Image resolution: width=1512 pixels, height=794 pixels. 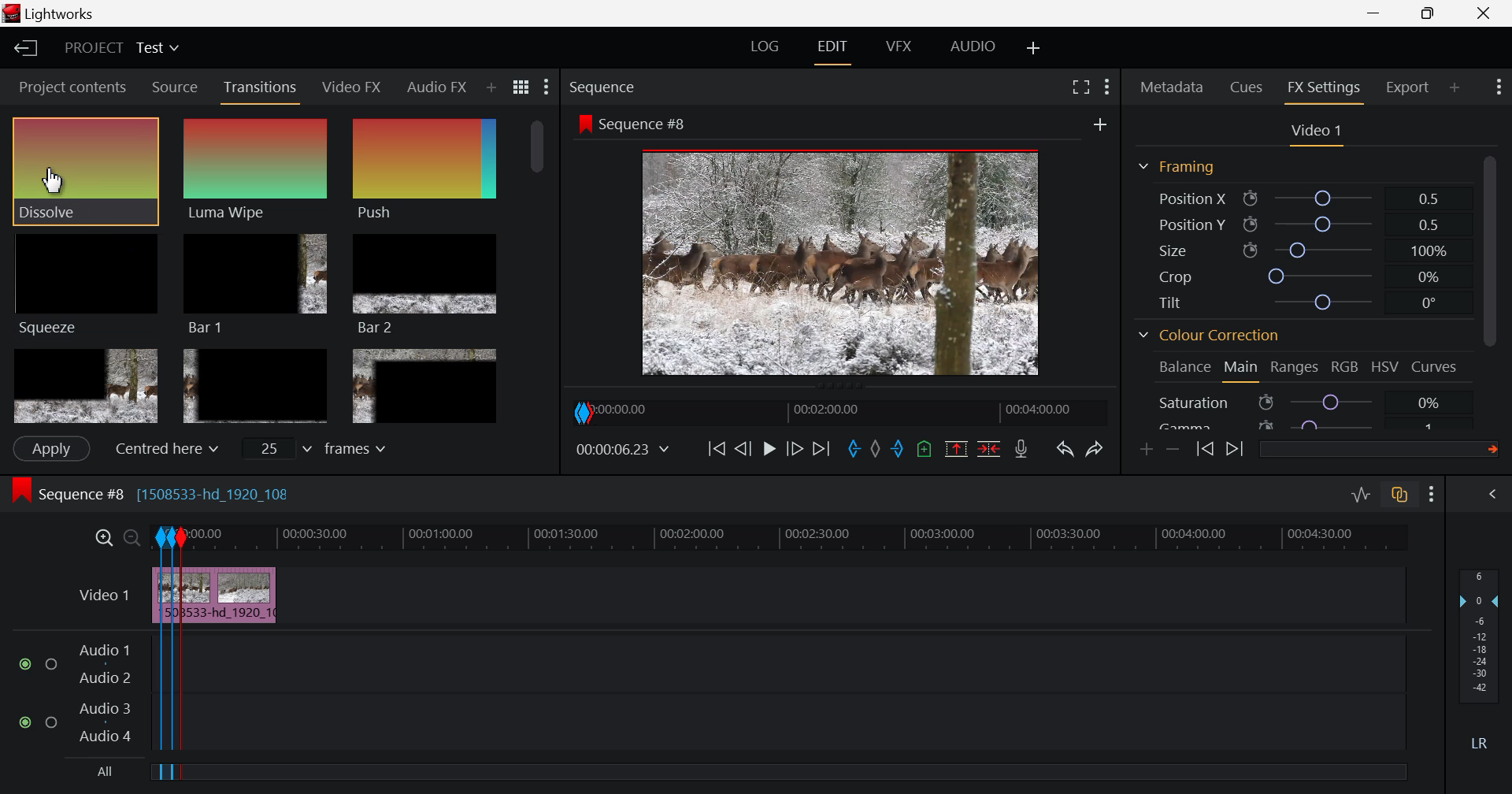 What do you see at coordinates (424, 386) in the screenshot?
I see `Box 6` at bounding box center [424, 386].